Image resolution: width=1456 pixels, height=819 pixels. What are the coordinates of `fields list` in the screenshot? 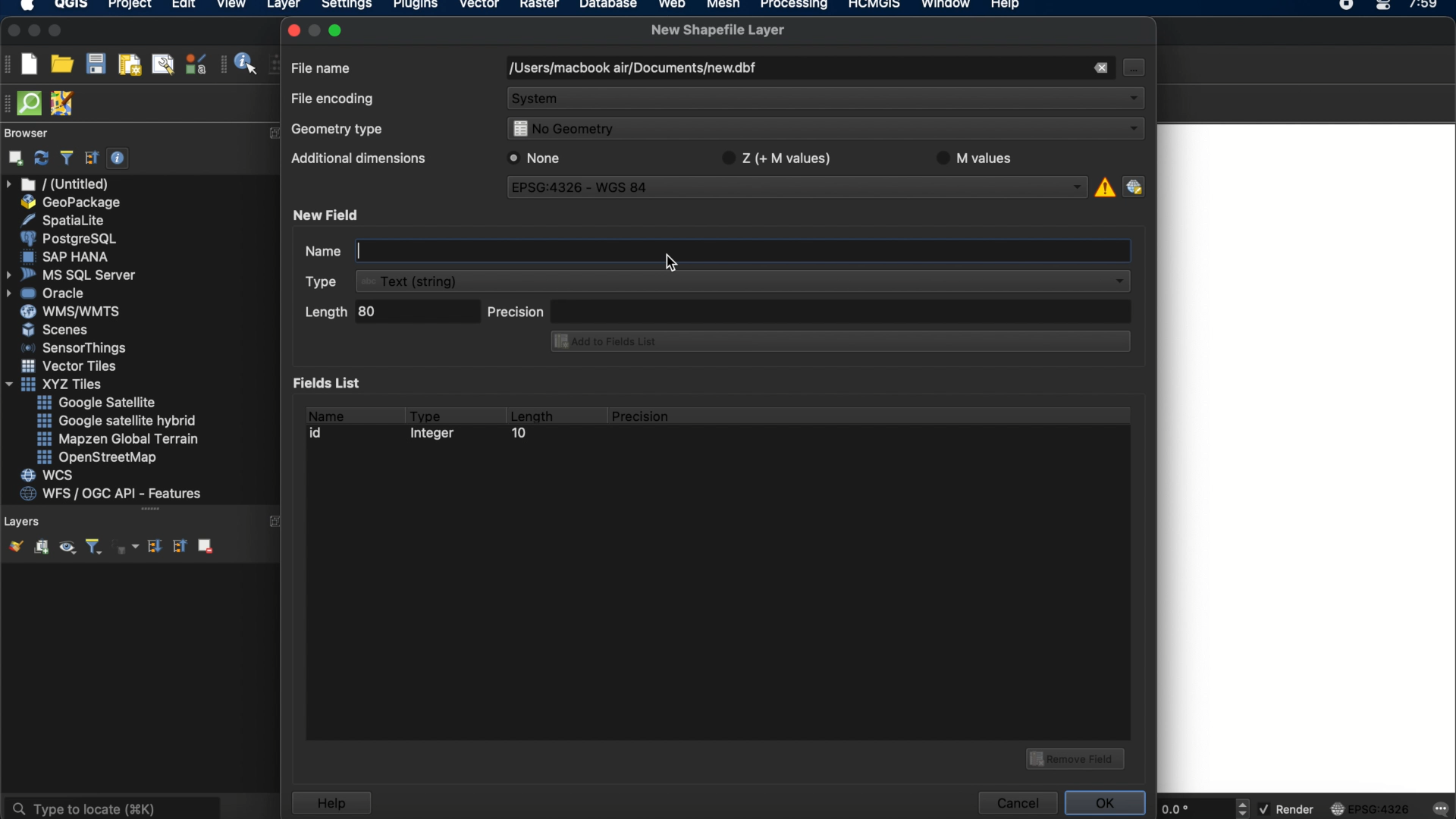 It's located at (331, 382).